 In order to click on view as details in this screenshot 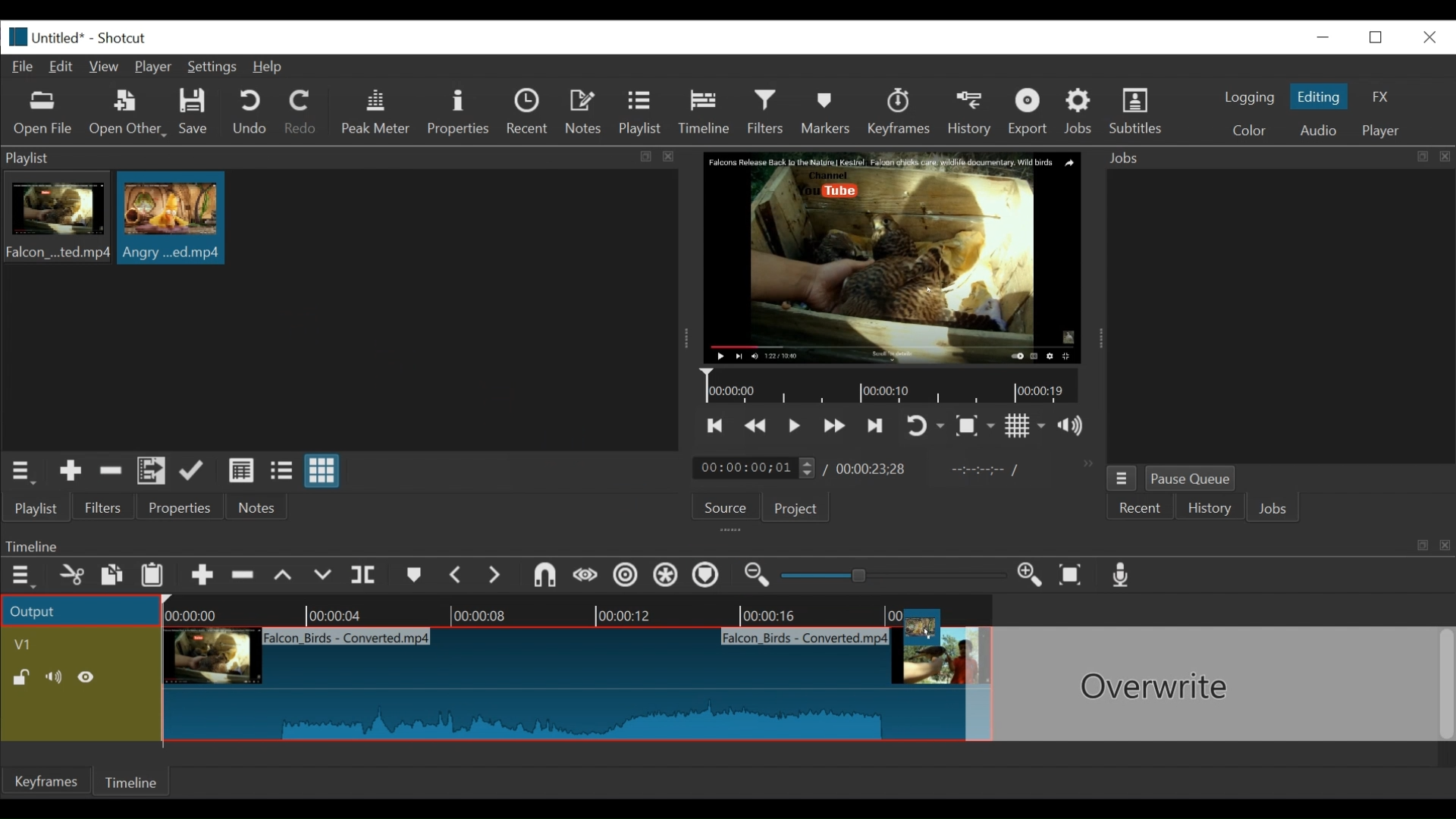, I will do `click(242, 470)`.